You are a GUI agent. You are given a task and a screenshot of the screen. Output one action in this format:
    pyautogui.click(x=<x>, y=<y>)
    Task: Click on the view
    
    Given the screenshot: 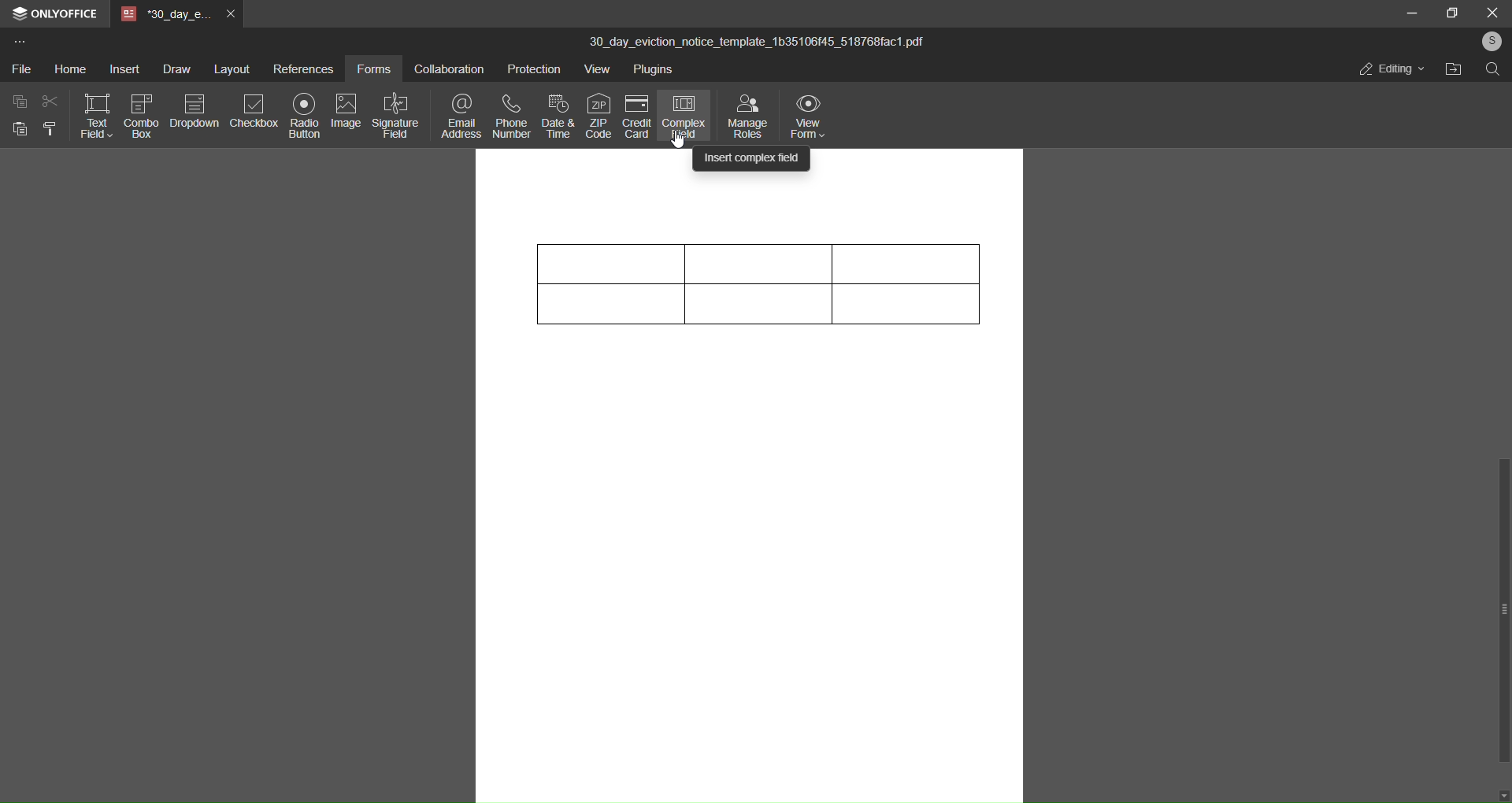 What is the action you would take?
    pyautogui.click(x=599, y=72)
    